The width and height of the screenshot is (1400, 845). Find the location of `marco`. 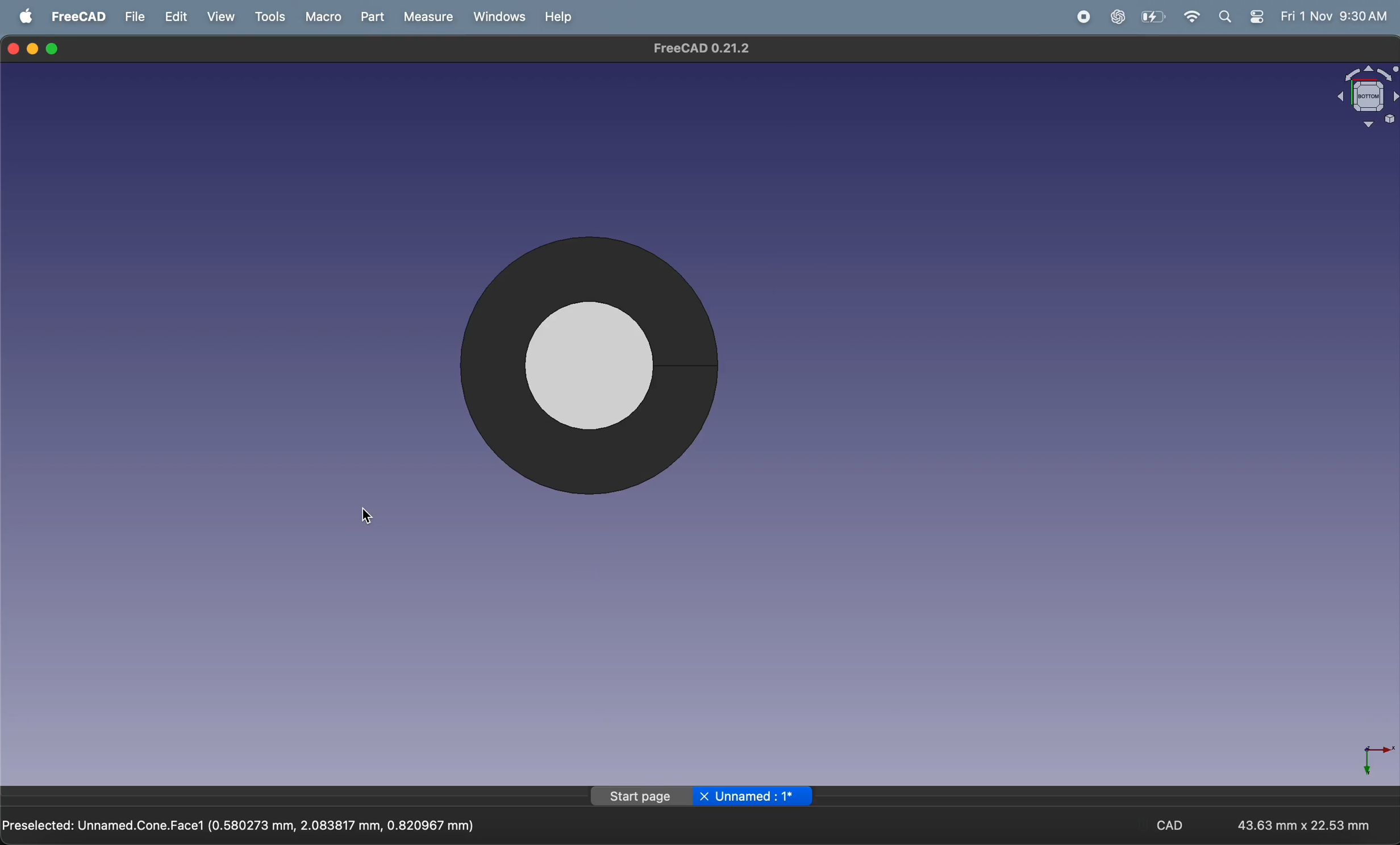

marco is located at coordinates (319, 16).